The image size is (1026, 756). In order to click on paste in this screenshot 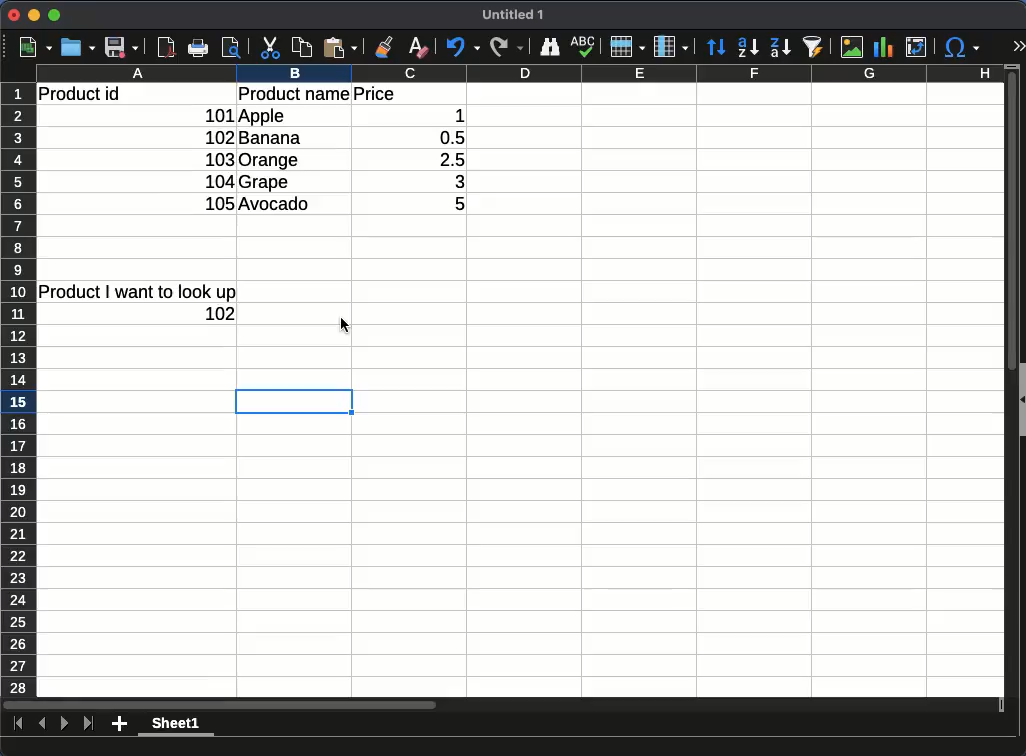, I will do `click(340, 47)`.